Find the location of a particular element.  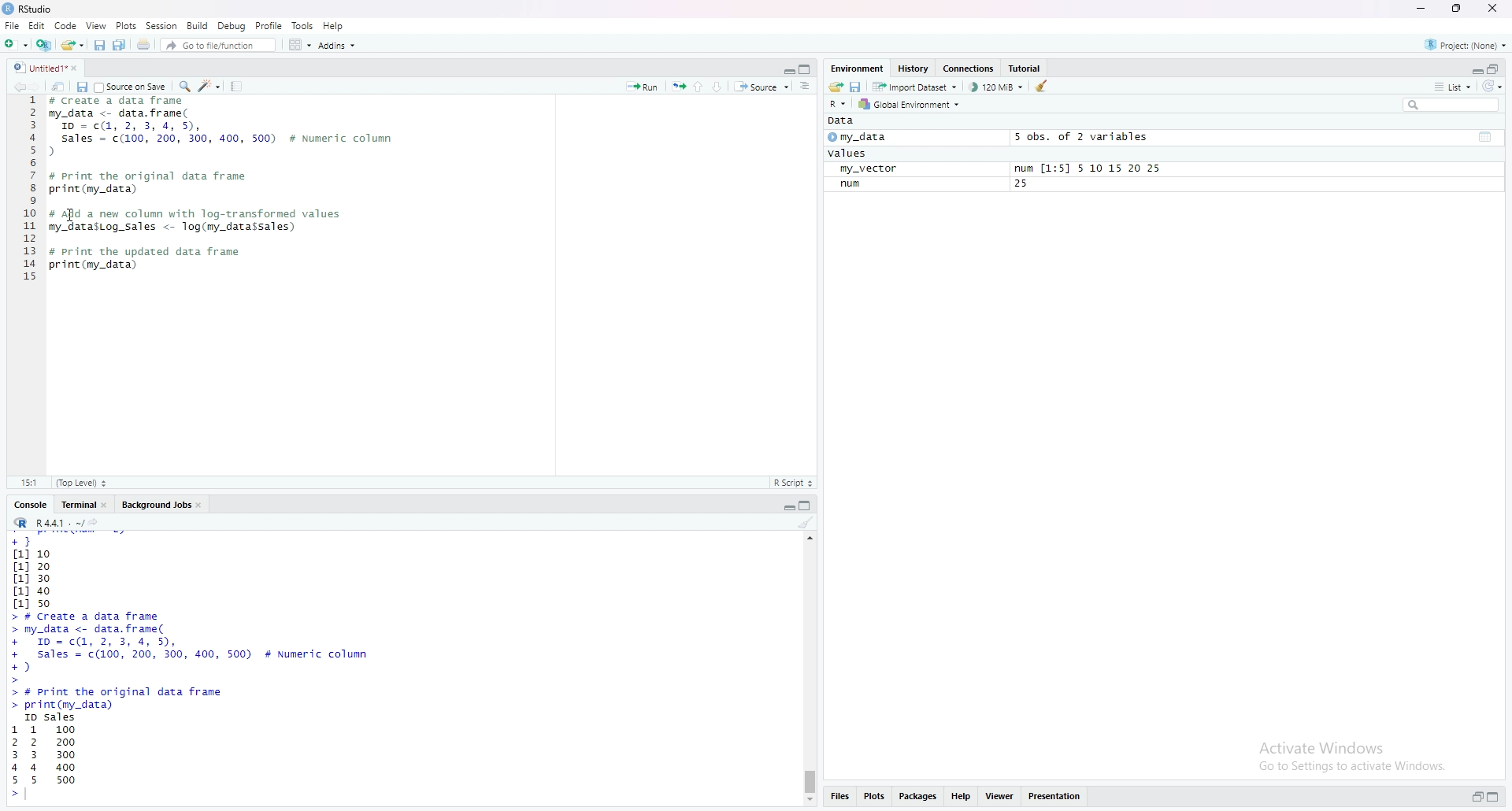

Debug is located at coordinates (233, 25).